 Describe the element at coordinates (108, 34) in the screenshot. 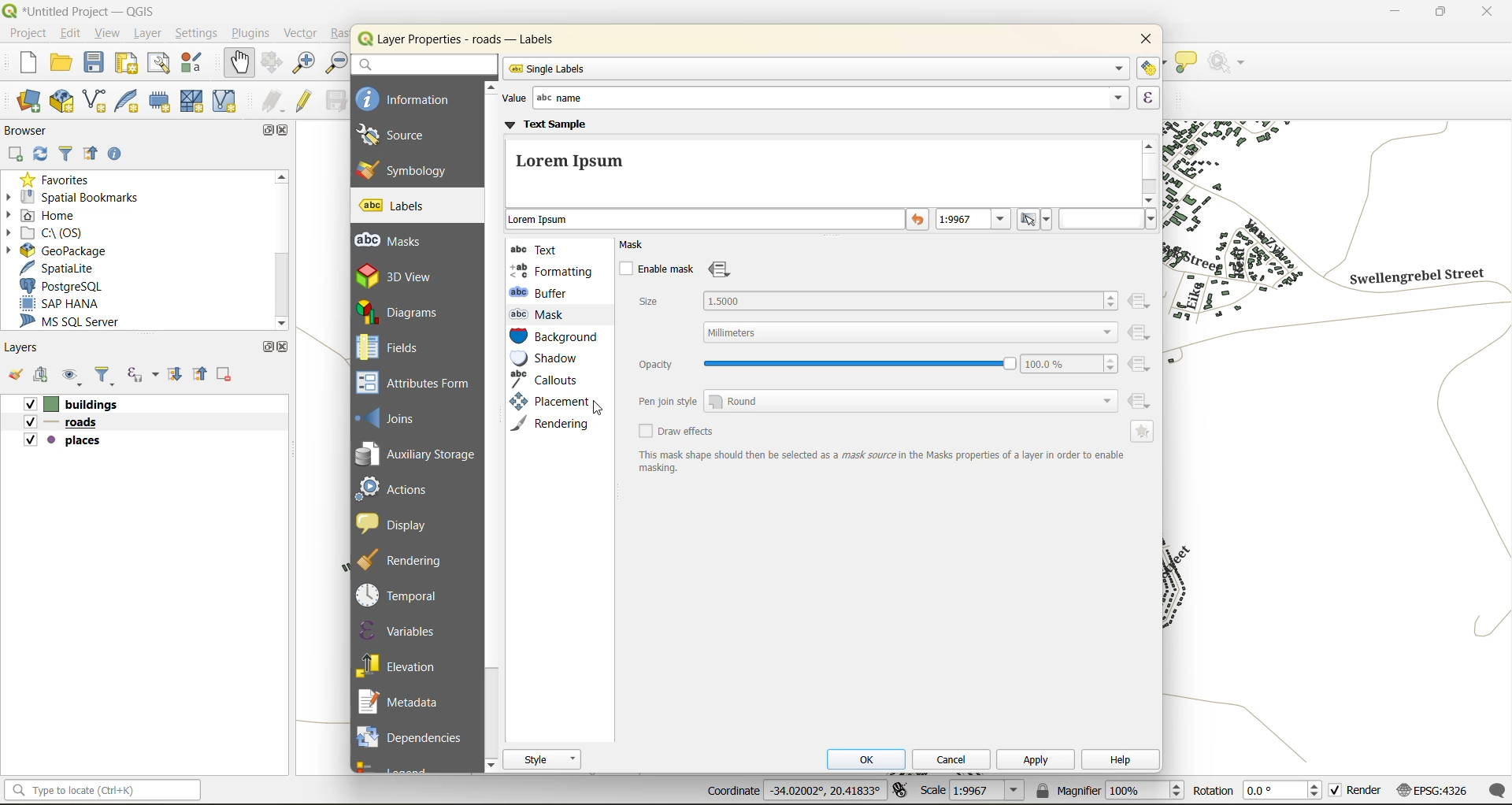

I see `view` at that location.